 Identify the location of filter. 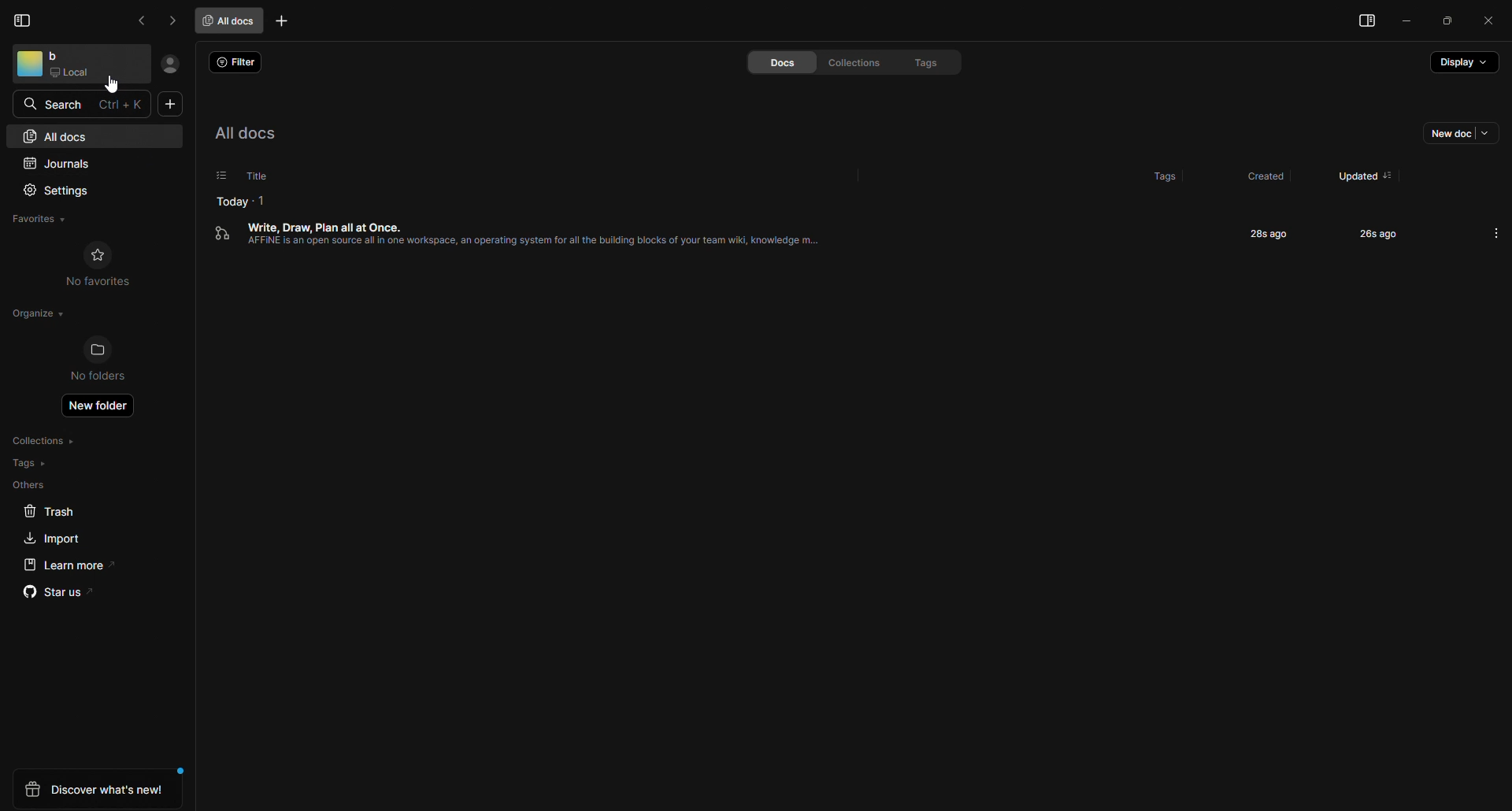
(238, 63).